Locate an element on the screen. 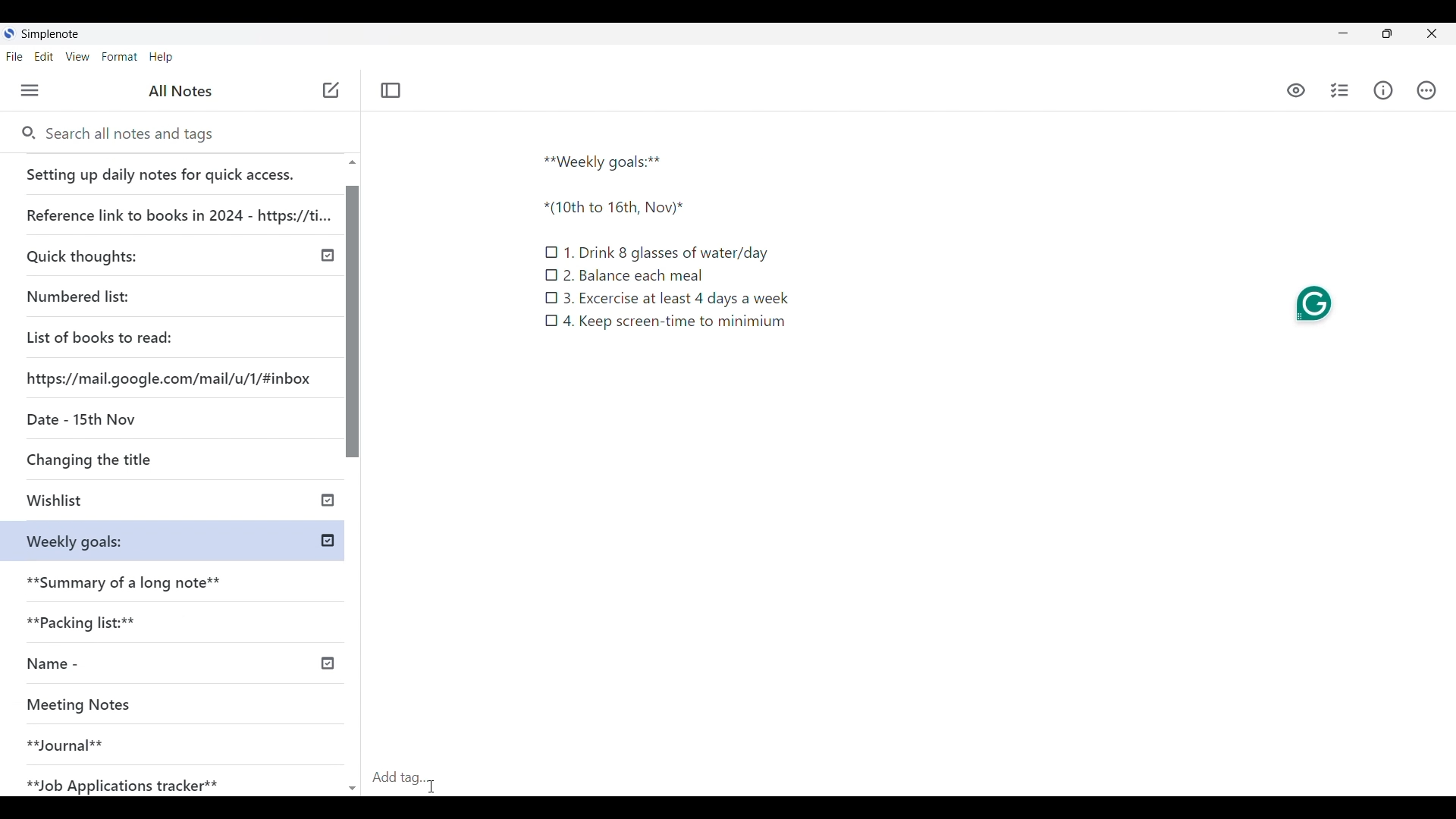 This screenshot has width=1456, height=819. Quick thoughts is located at coordinates (124, 254).